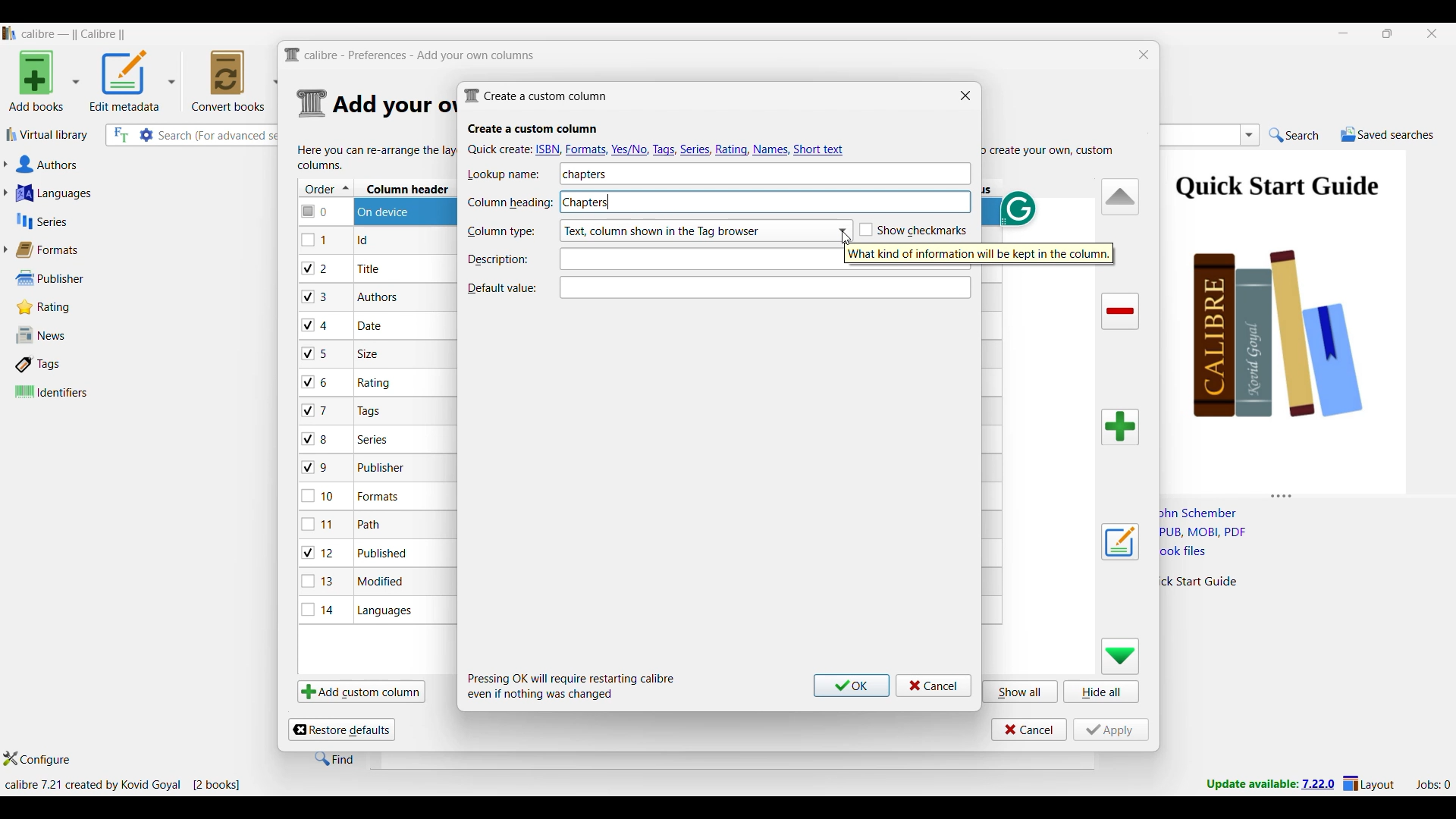 The height and width of the screenshot is (819, 1456). What do you see at coordinates (1121, 656) in the screenshot?
I see `Move row down` at bounding box center [1121, 656].